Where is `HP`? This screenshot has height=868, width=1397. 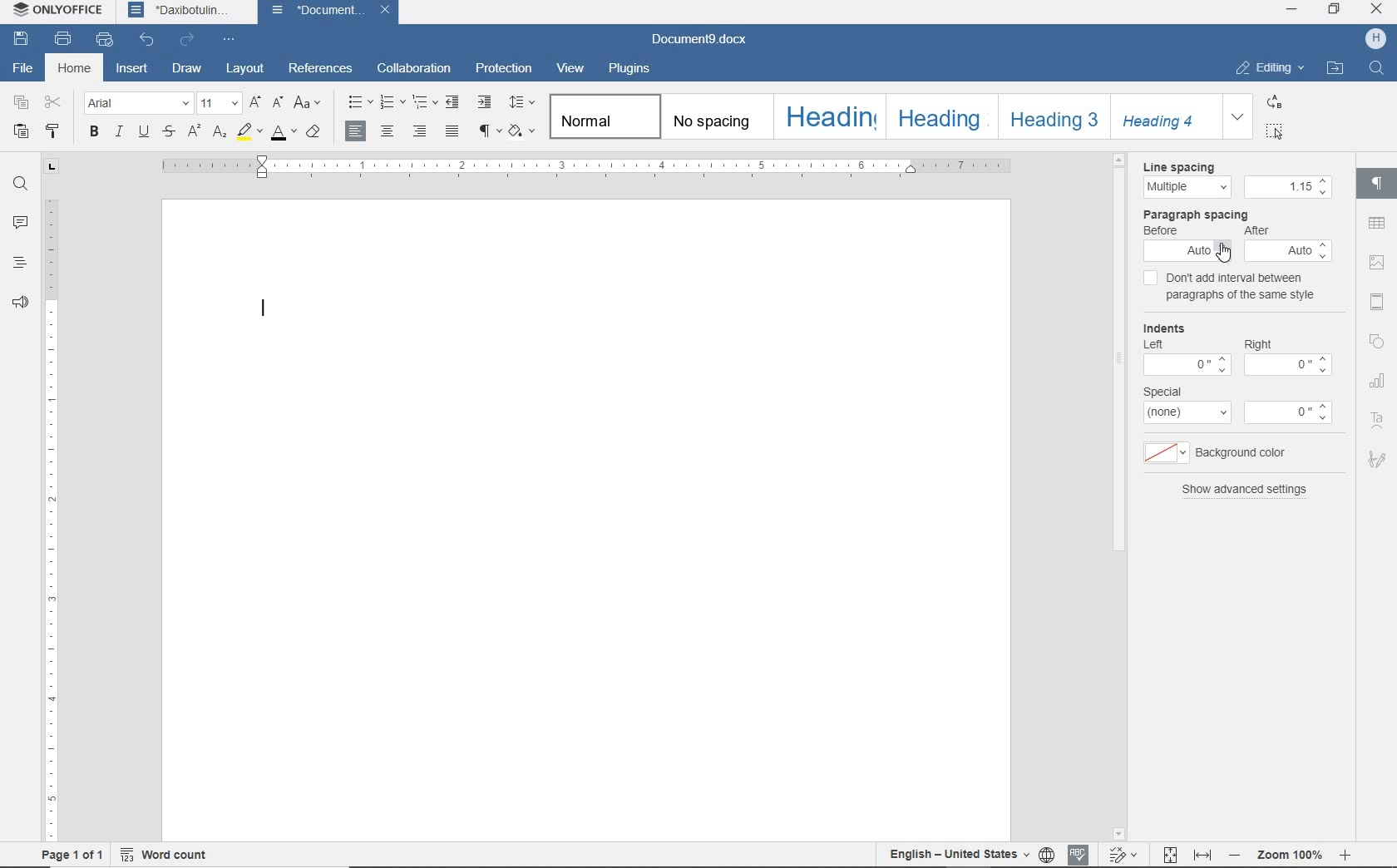 HP is located at coordinates (1375, 39).